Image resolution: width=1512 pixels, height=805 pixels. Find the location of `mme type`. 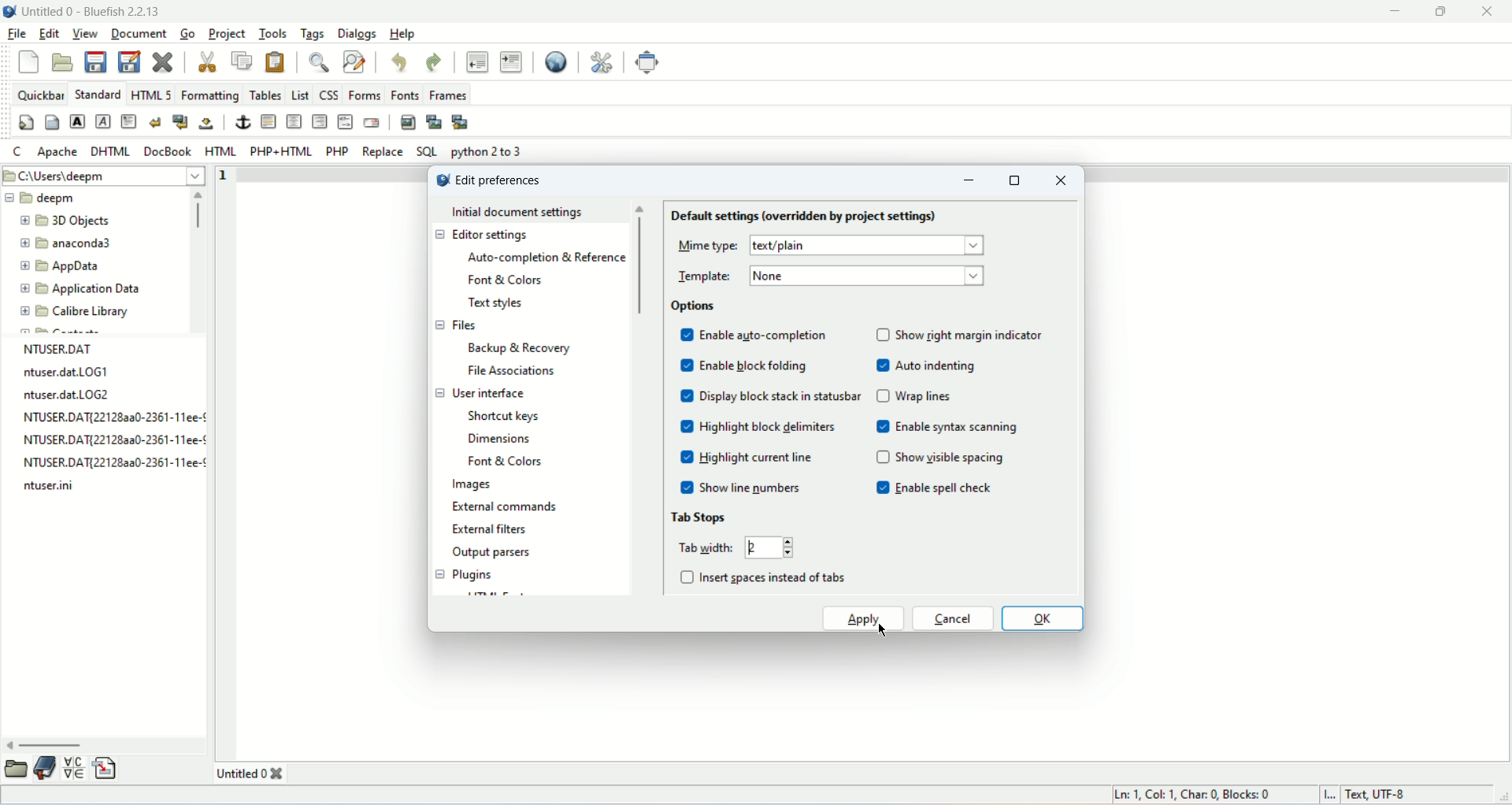

mme type is located at coordinates (702, 244).